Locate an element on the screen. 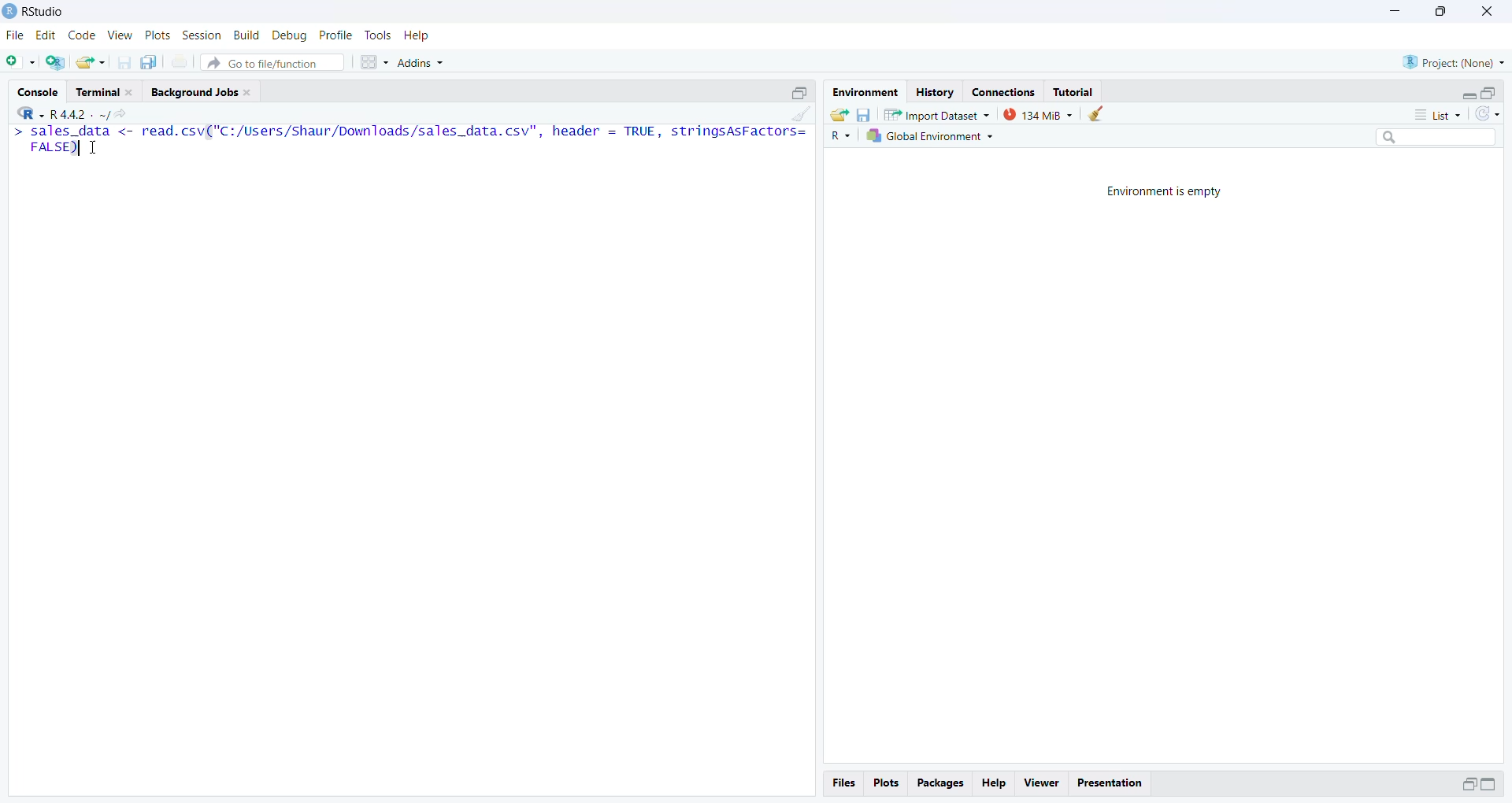 This screenshot has height=803, width=1512. Project (Name) is located at coordinates (1455, 64).